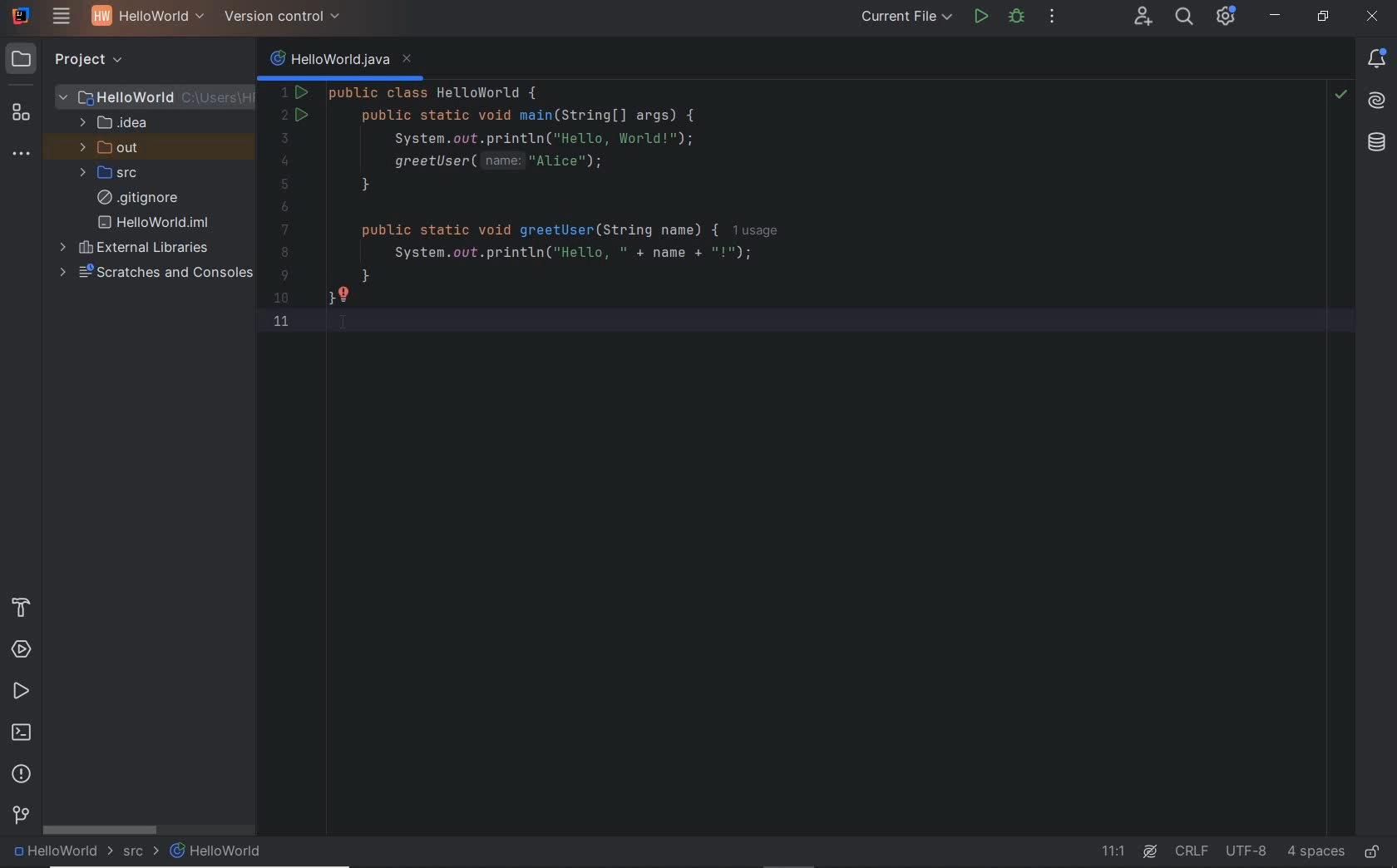  I want to click on Updates and project settings, so click(1227, 18).